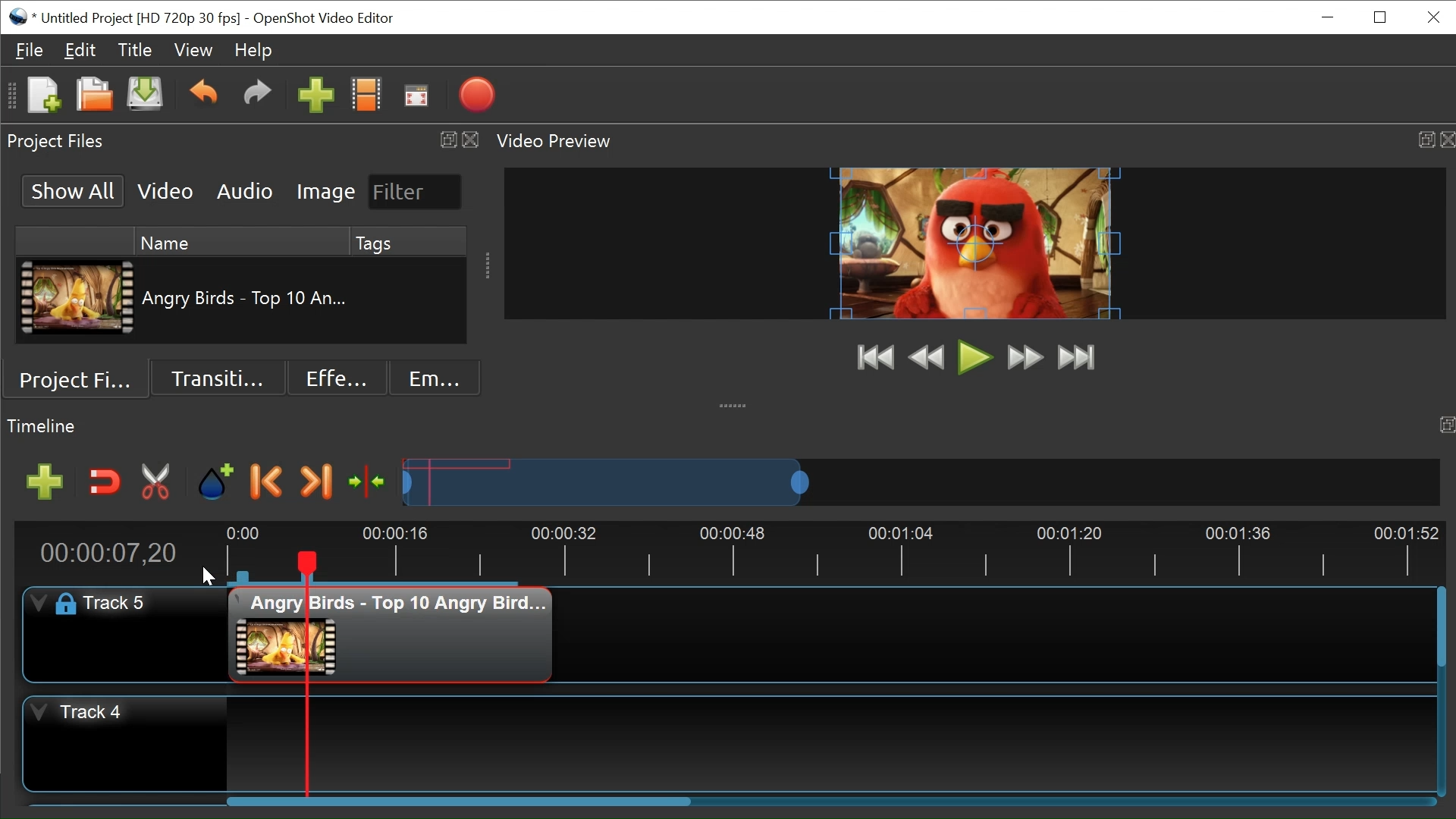 The width and height of the screenshot is (1456, 819). What do you see at coordinates (215, 380) in the screenshot?
I see `Transition` at bounding box center [215, 380].